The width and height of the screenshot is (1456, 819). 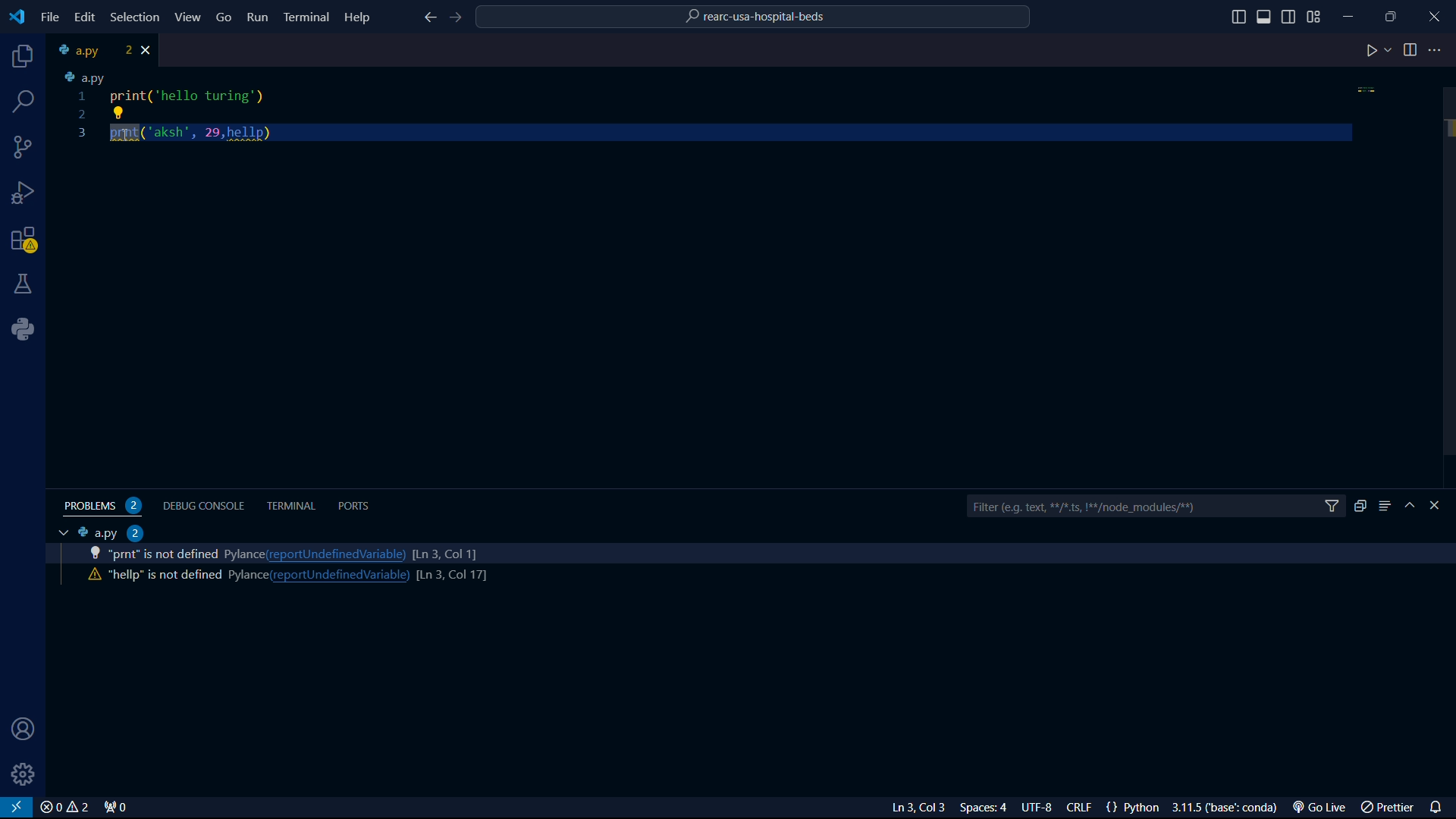 I want to click on a.py 2, so click(x=111, y=532).